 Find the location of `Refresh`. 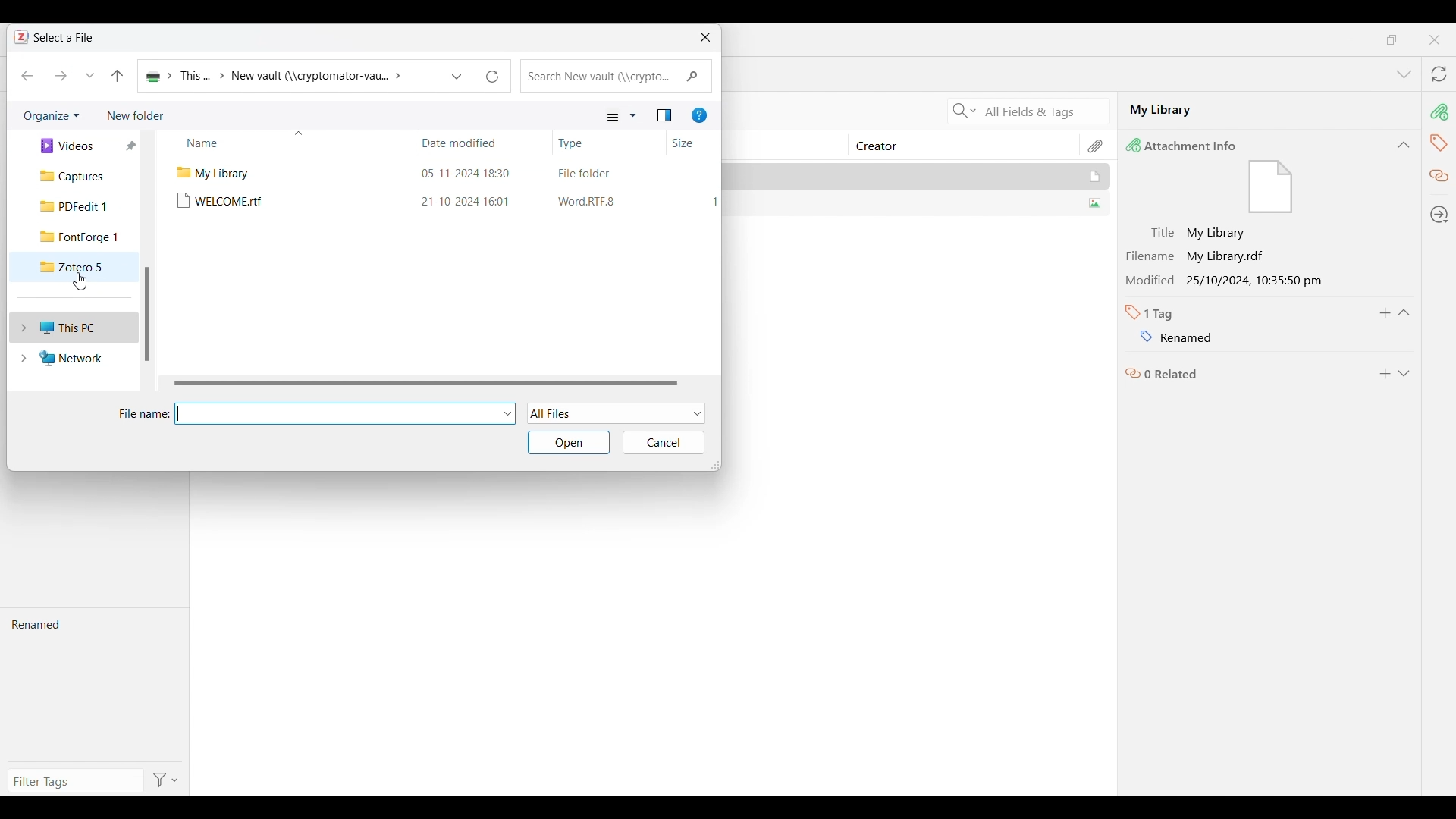

Refresh is located at coordinates (494, 76).